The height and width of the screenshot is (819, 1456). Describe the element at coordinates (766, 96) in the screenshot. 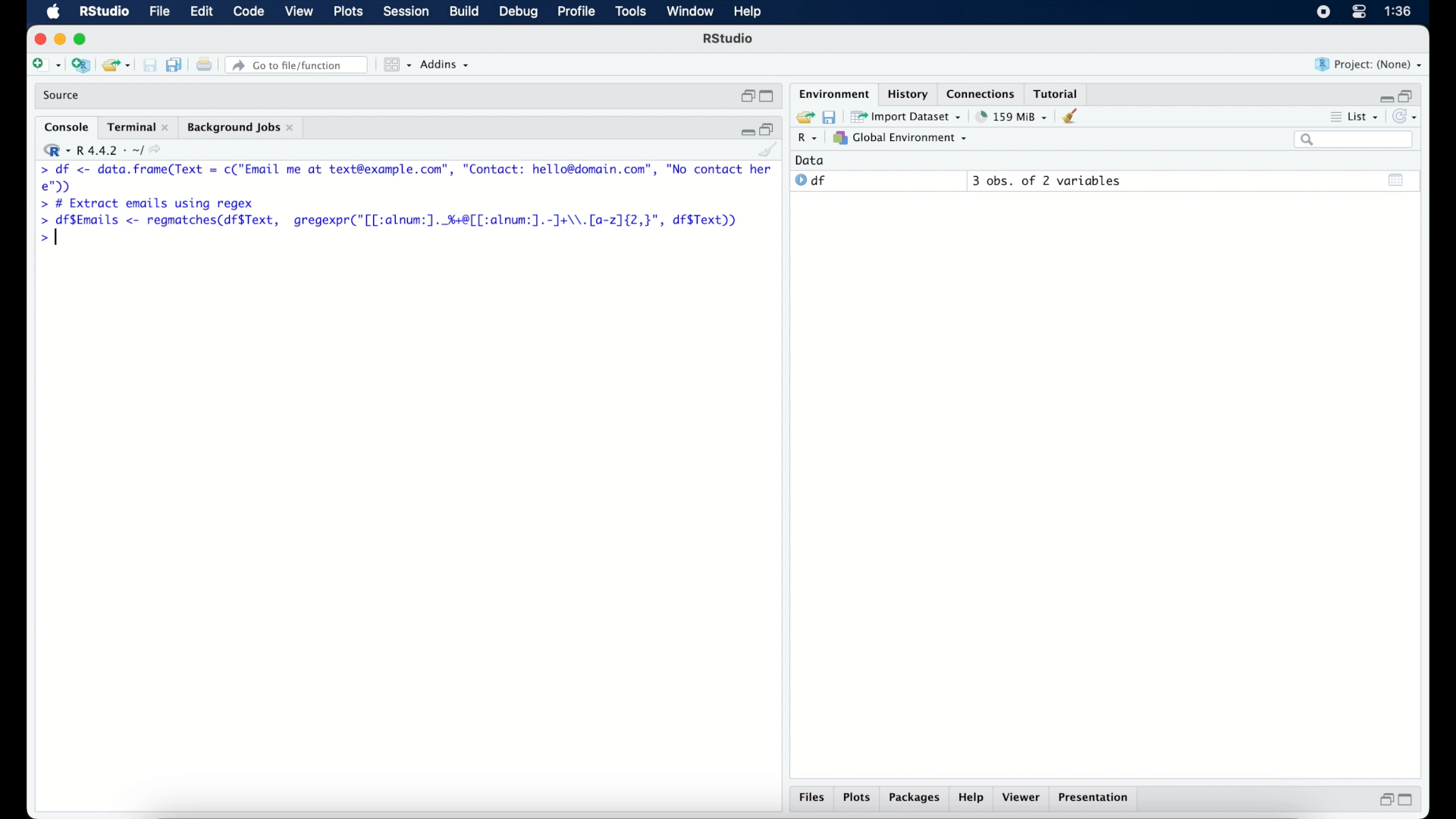

I see `maximize` at that location.